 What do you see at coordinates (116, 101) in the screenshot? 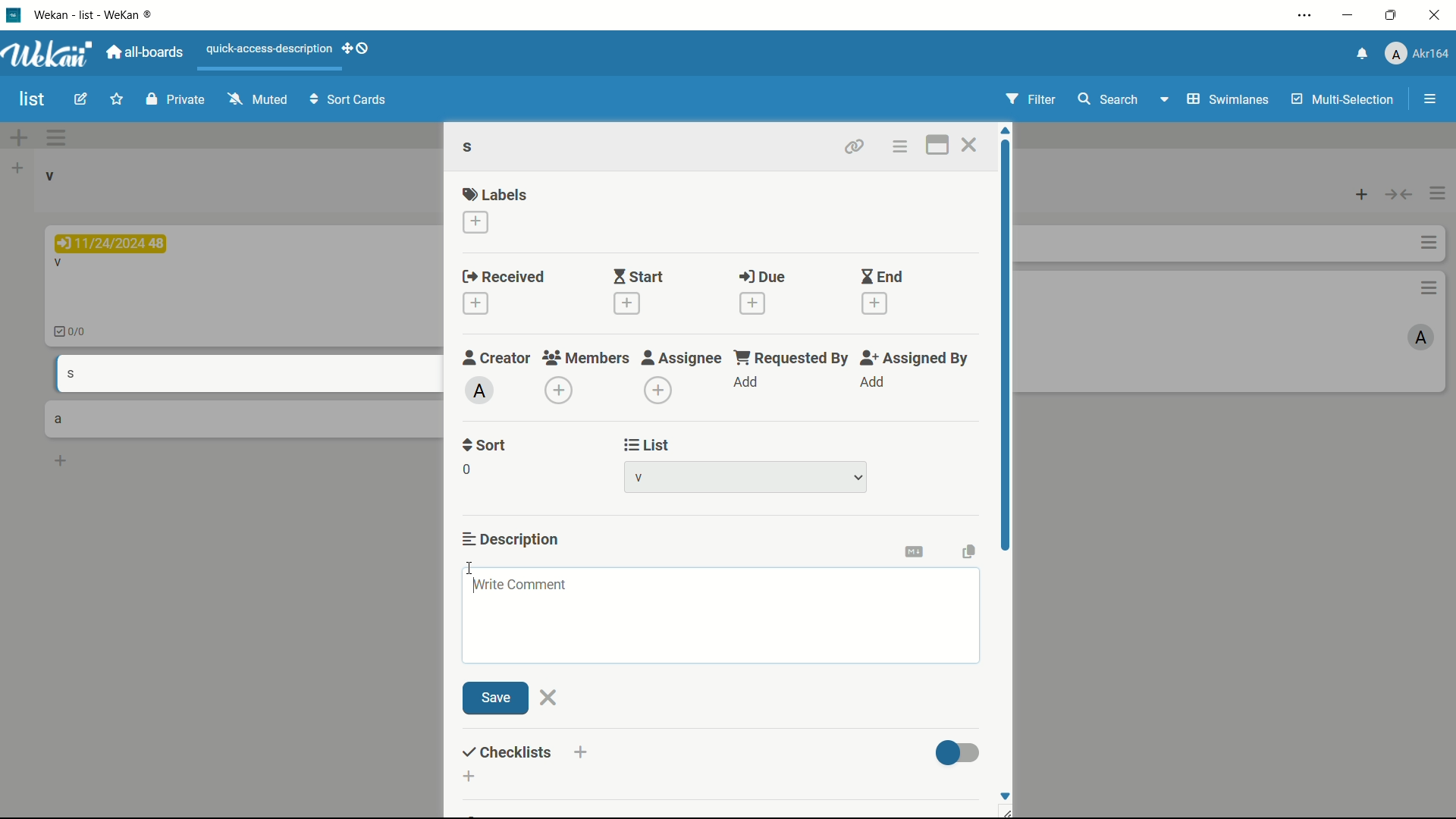
I see `star this board` at bounding box center [116, 101].